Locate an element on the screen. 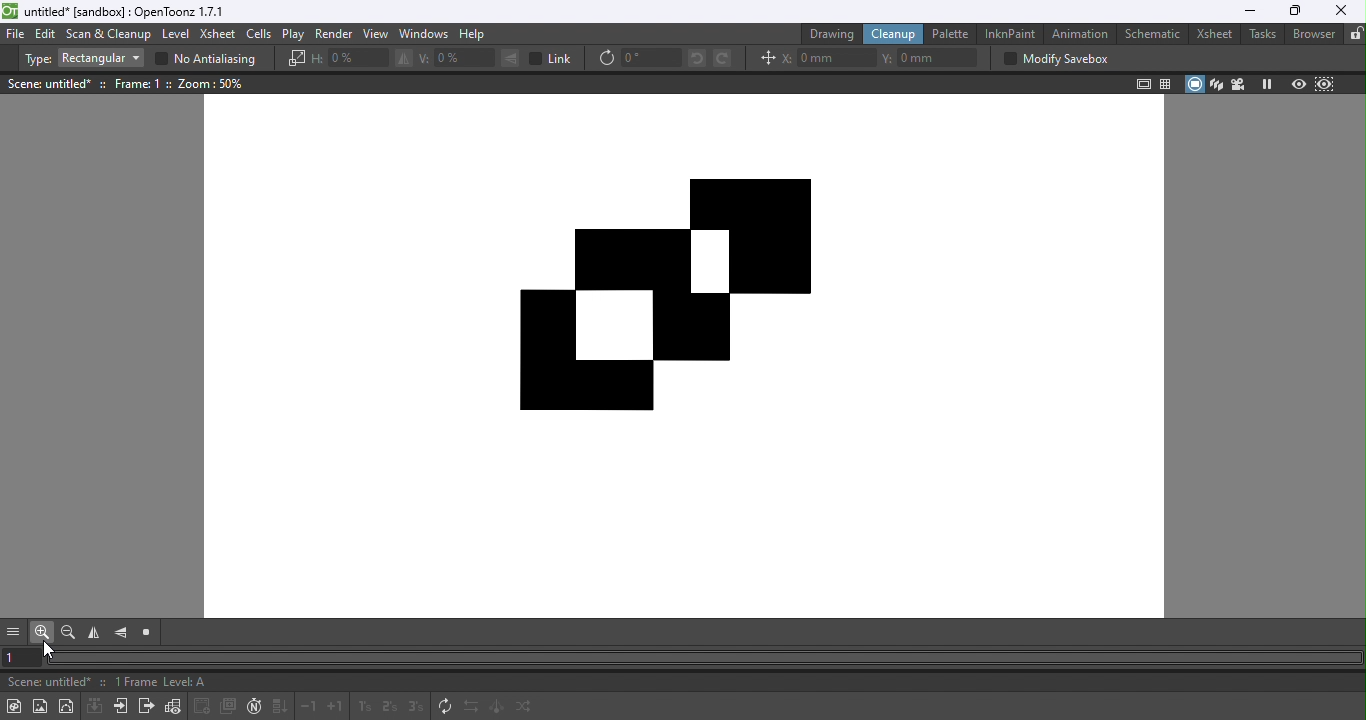 This screenshot has height=720, width=1366. Object name is located at coordinates (48, 84).